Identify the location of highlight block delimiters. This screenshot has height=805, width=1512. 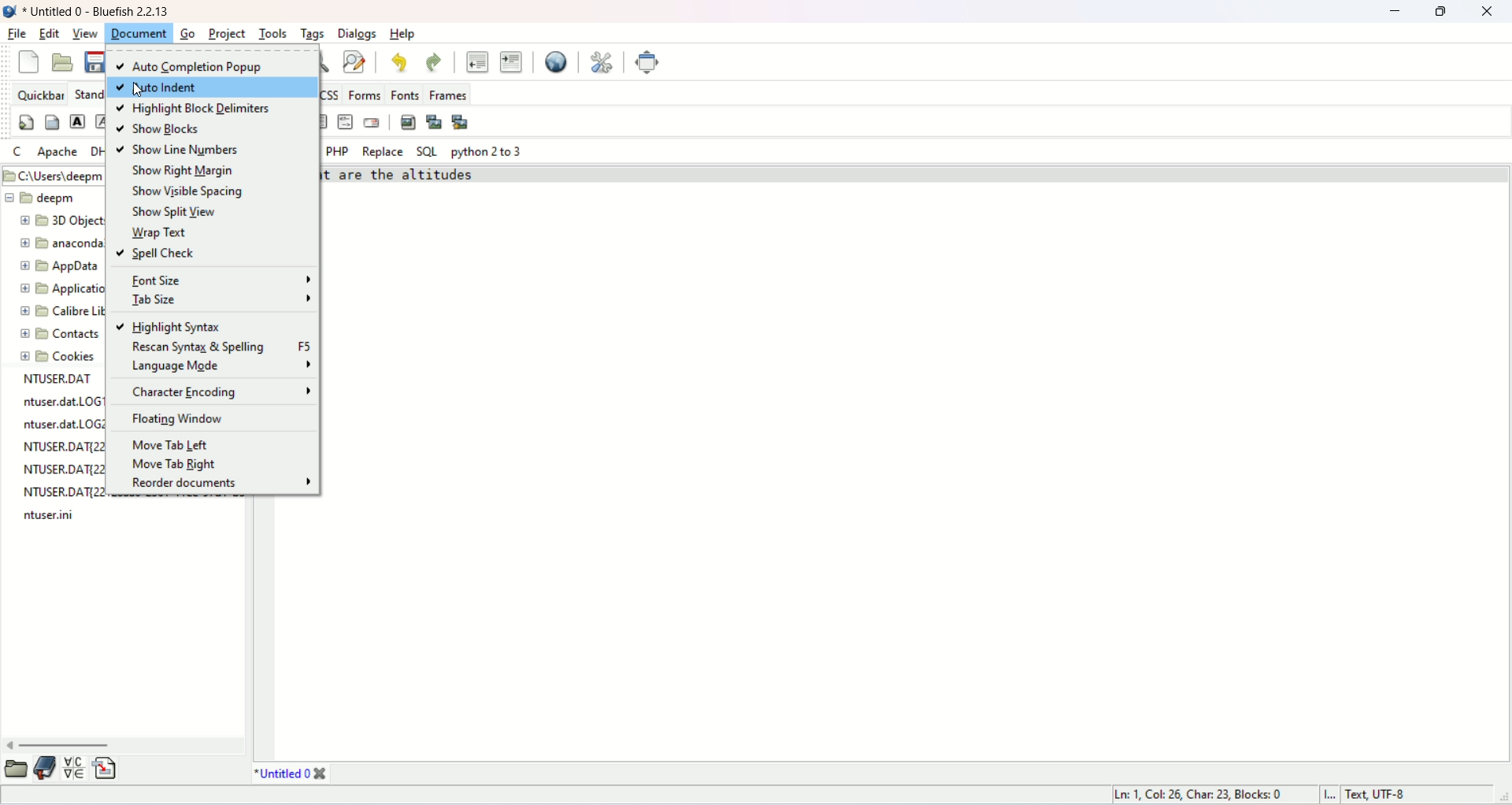
(195, 109).